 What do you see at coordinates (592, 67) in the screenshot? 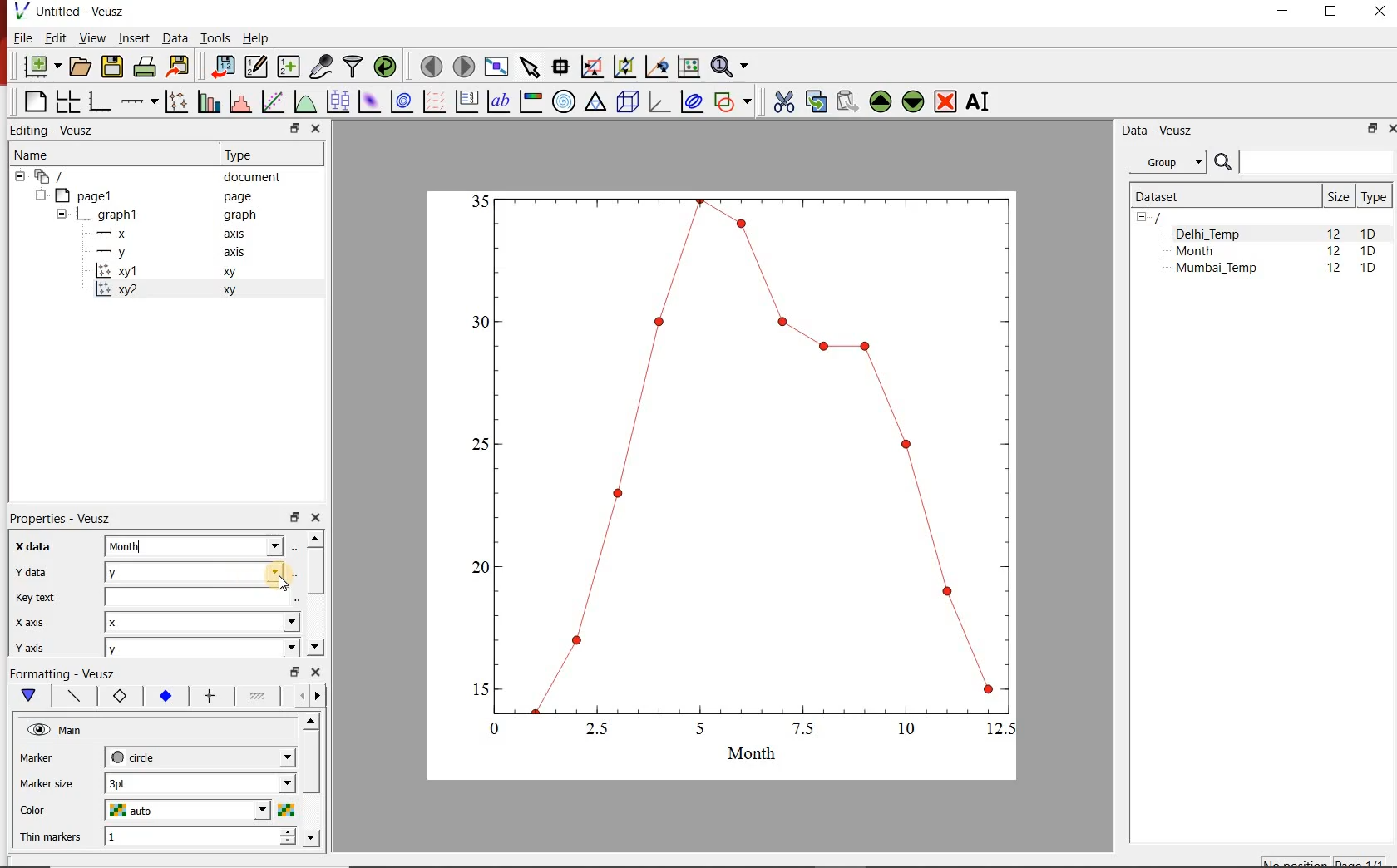
I see `click or draw a rectangle to zoom graph indexes` at bounding box center [592, 67].